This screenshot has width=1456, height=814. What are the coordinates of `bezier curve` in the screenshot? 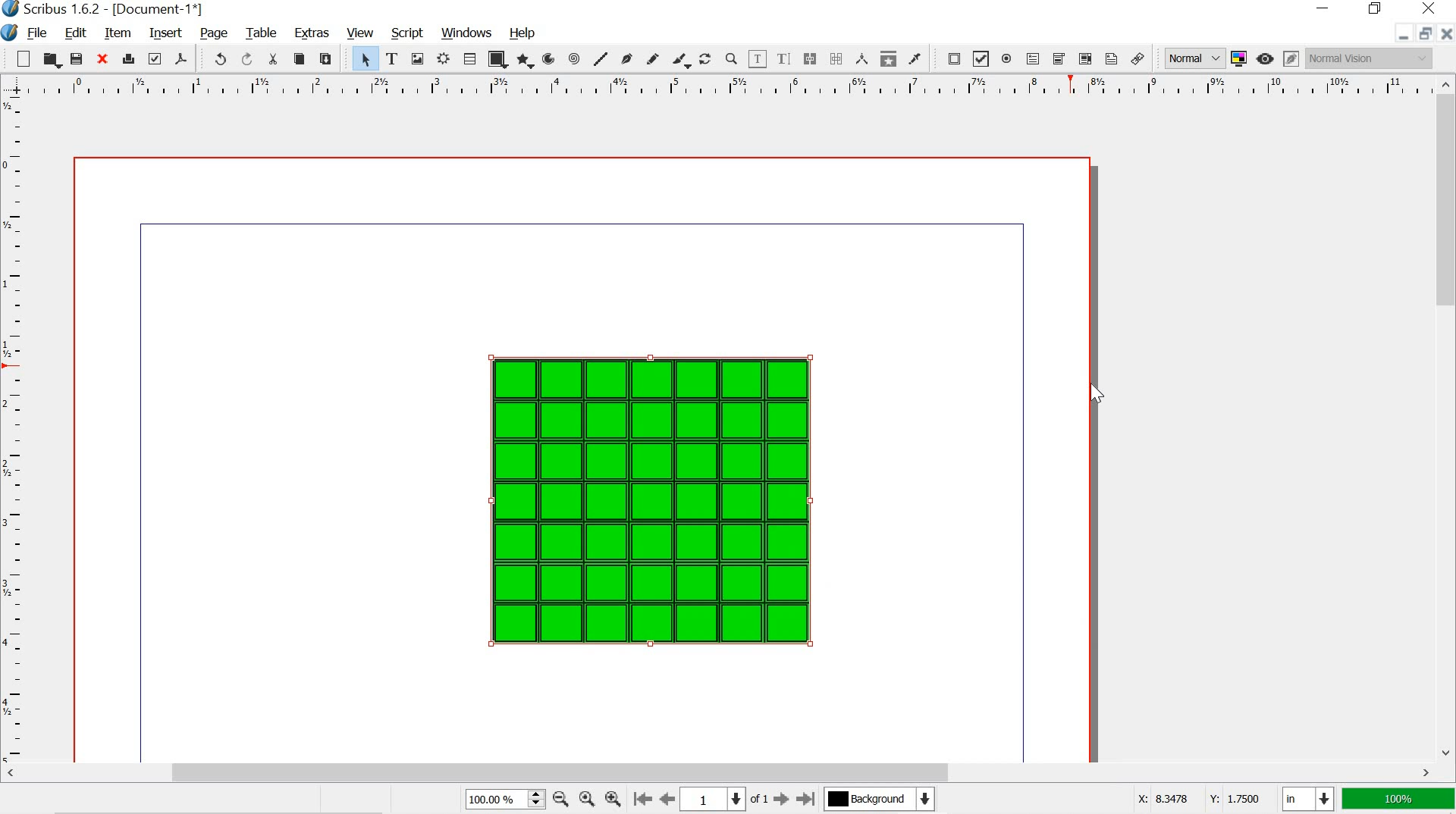 It's located at (626, 59).